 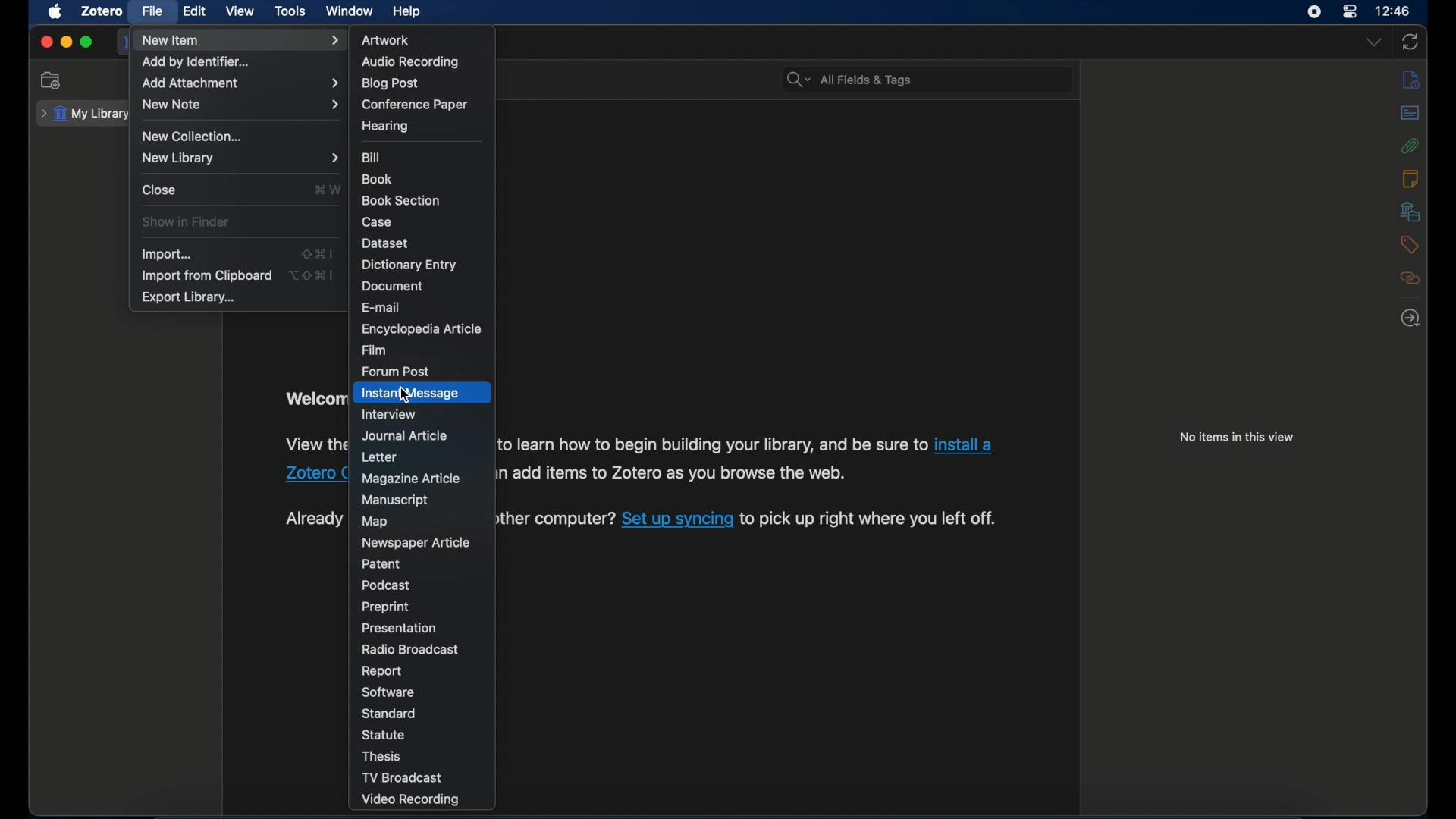 What do you see at coordinates (1411, 114) in the screenshot?
I see `abstract` at bounding box center [1411, 114].